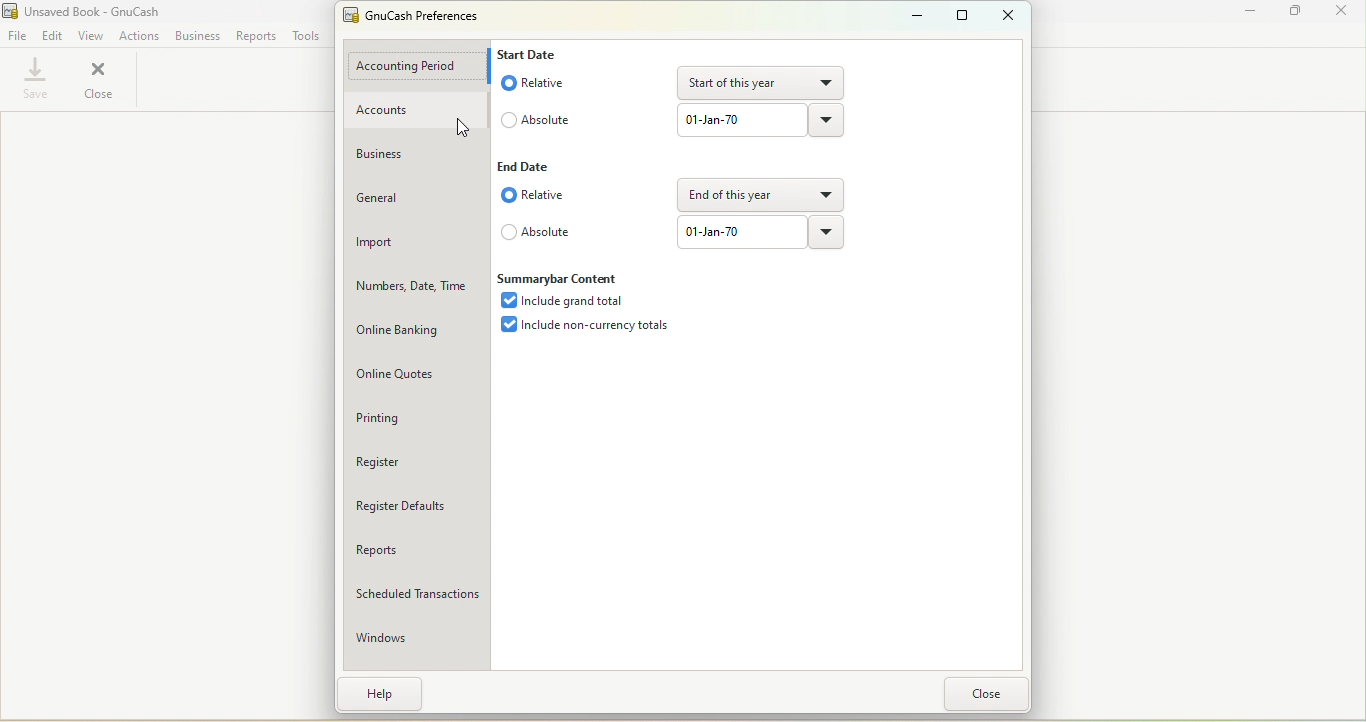 The height and width of the screenshot is (722, 1366). What do you see at coordinates (92, 33) in the screenshot?
I see `View` at bounding box center [92, 33].